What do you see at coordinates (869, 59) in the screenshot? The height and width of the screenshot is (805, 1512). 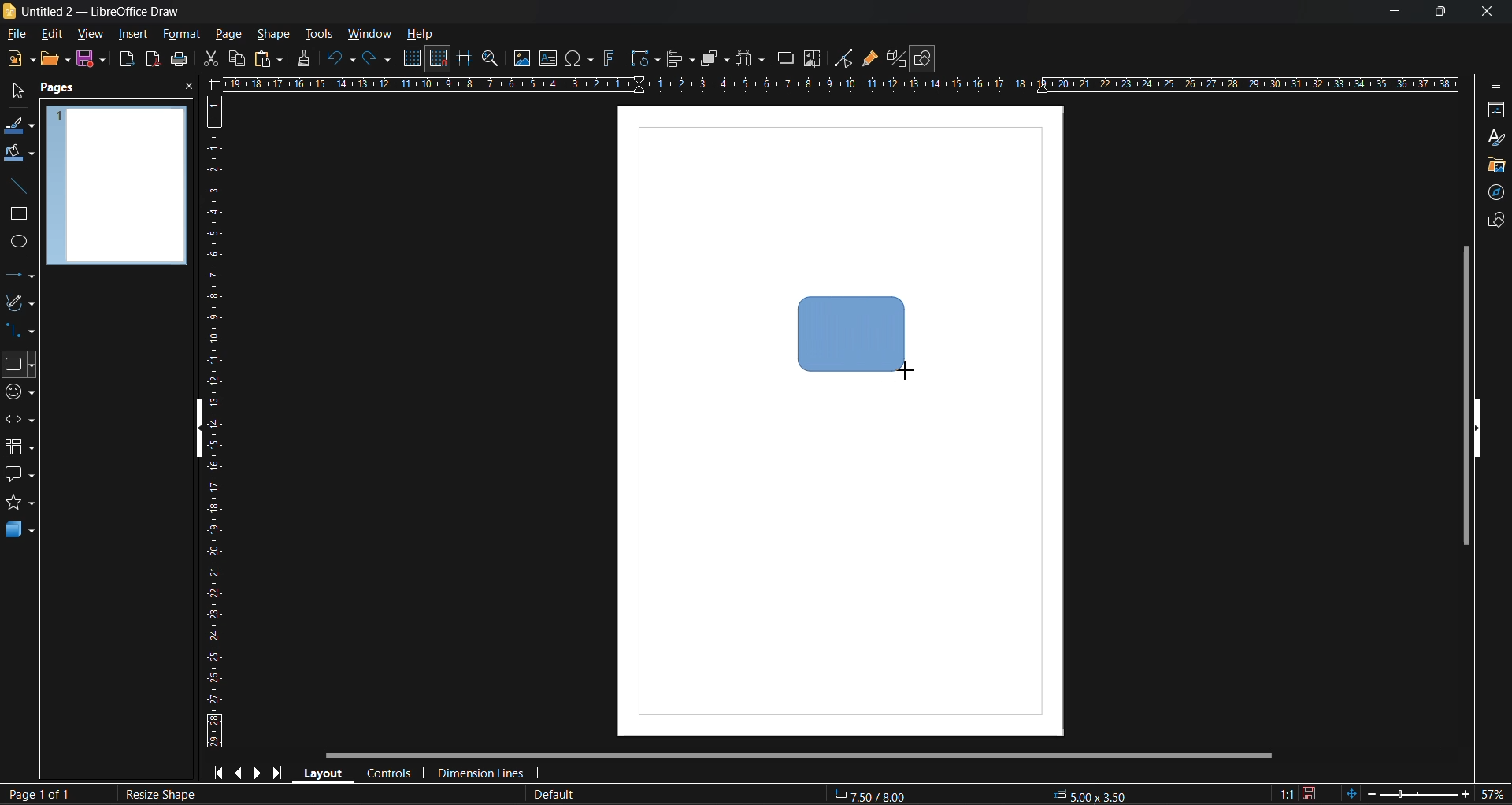 I see `show gluepoint functions` at bounding box center [869, 59].